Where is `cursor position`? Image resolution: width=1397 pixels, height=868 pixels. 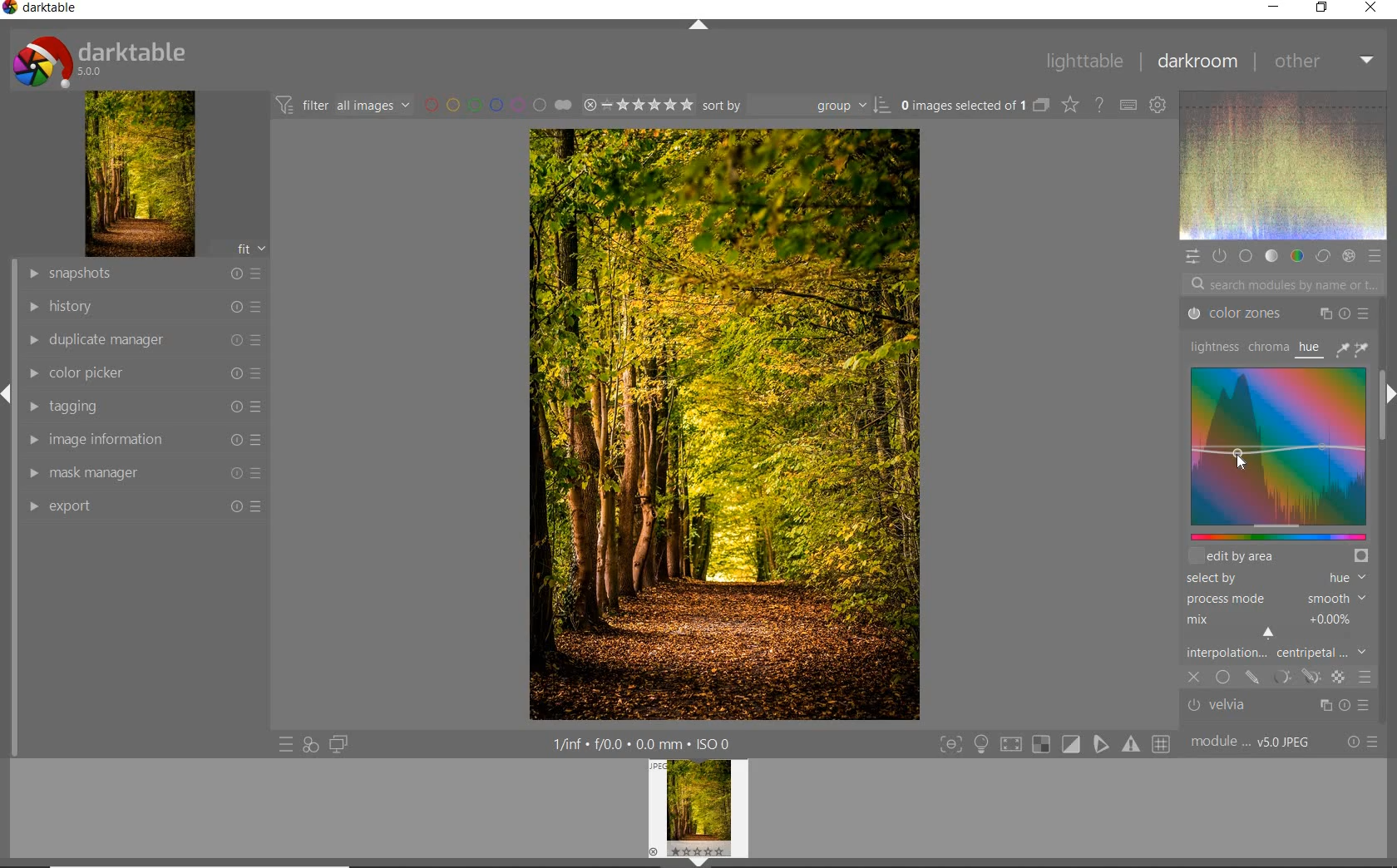 cursor position is located at coordinates (1238, 460).